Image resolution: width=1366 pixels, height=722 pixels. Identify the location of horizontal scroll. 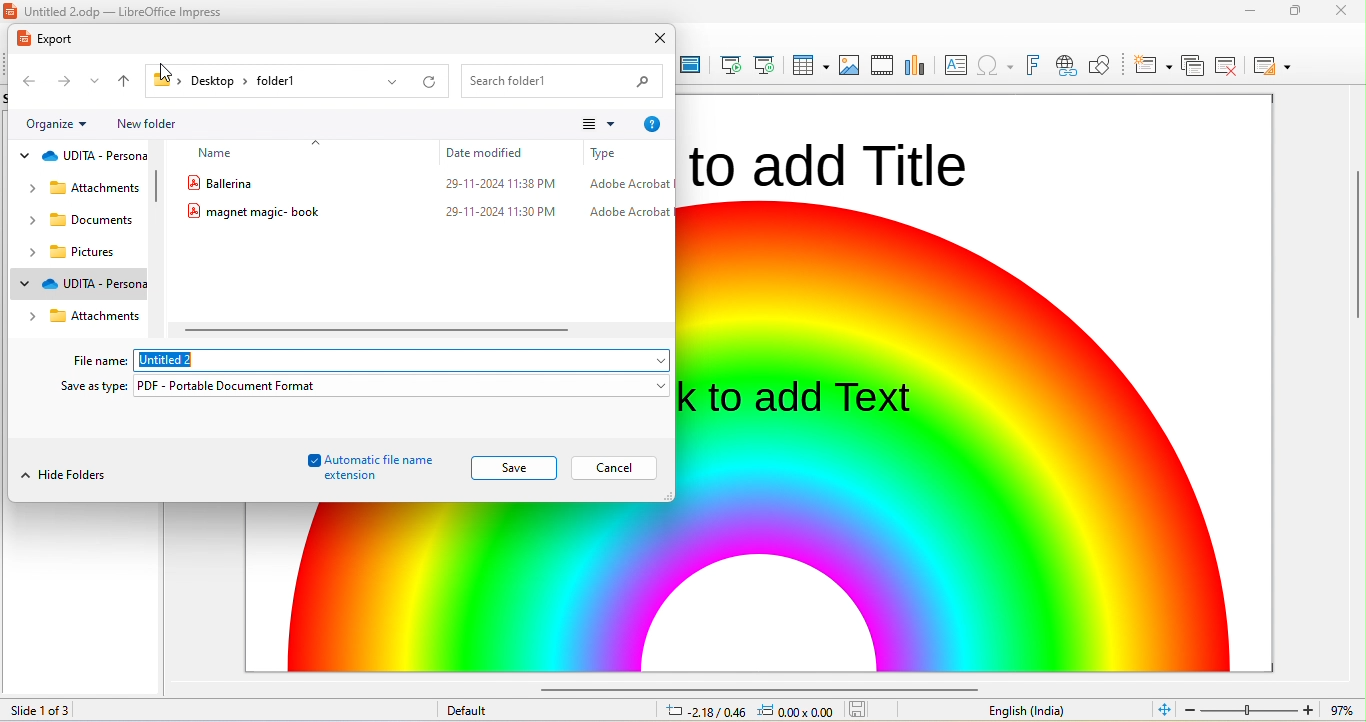
(382, 330).